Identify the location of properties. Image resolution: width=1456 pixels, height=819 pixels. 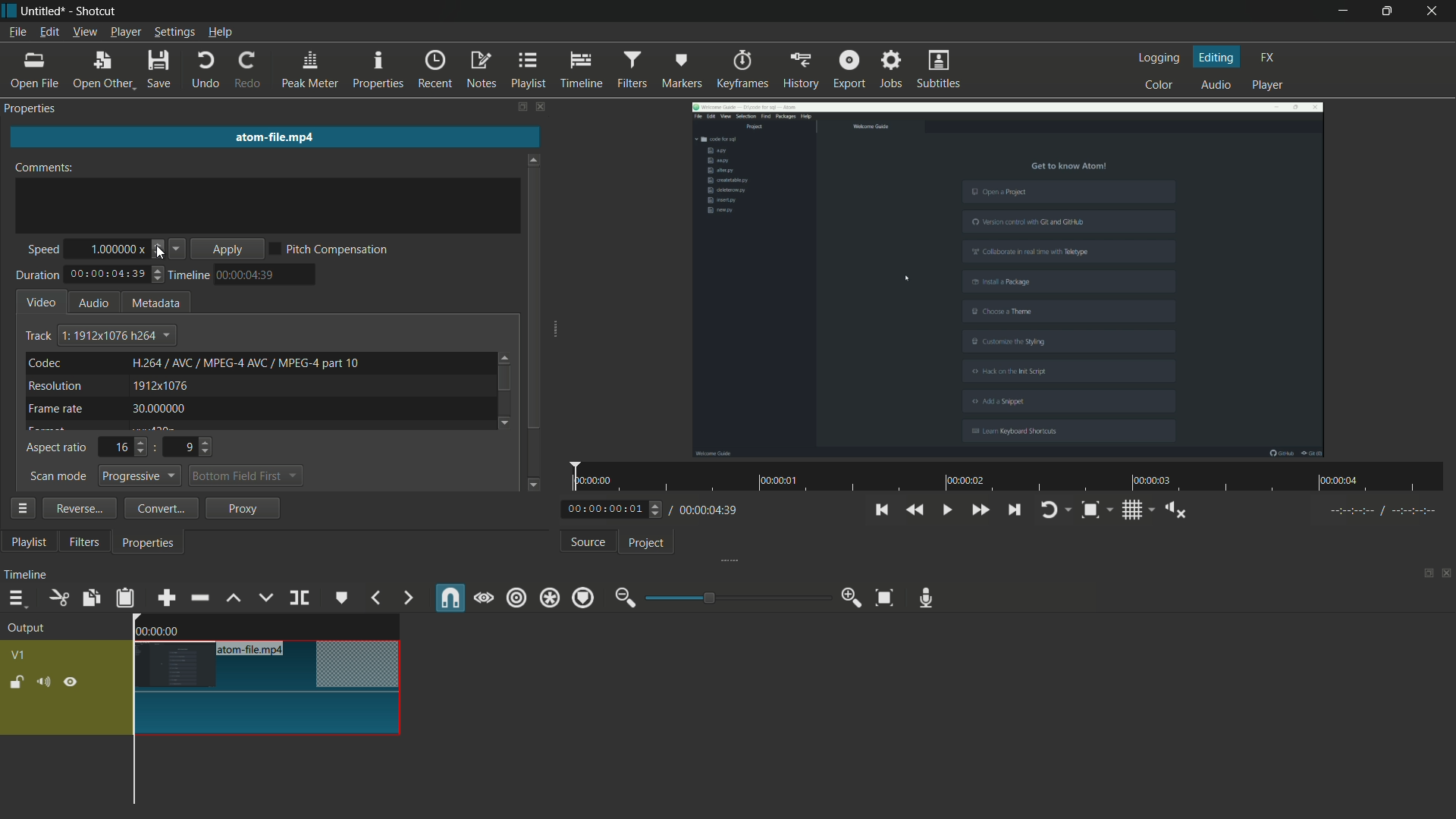
(378, 67).